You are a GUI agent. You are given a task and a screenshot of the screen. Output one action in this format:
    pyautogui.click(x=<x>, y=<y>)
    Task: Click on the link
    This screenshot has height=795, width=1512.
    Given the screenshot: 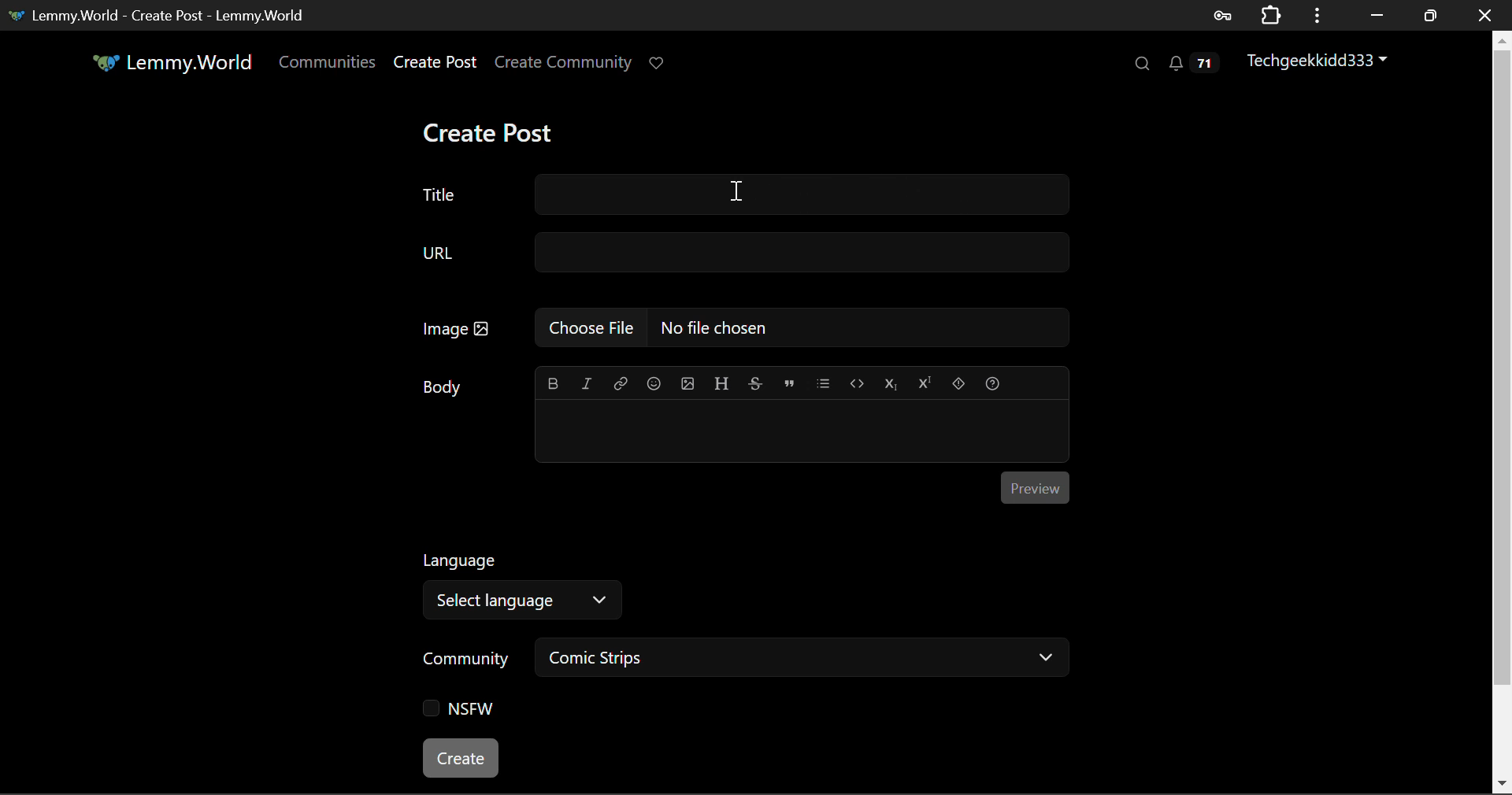 What is the action you would take?
    pyautogui.click(x=620, y=380)
    